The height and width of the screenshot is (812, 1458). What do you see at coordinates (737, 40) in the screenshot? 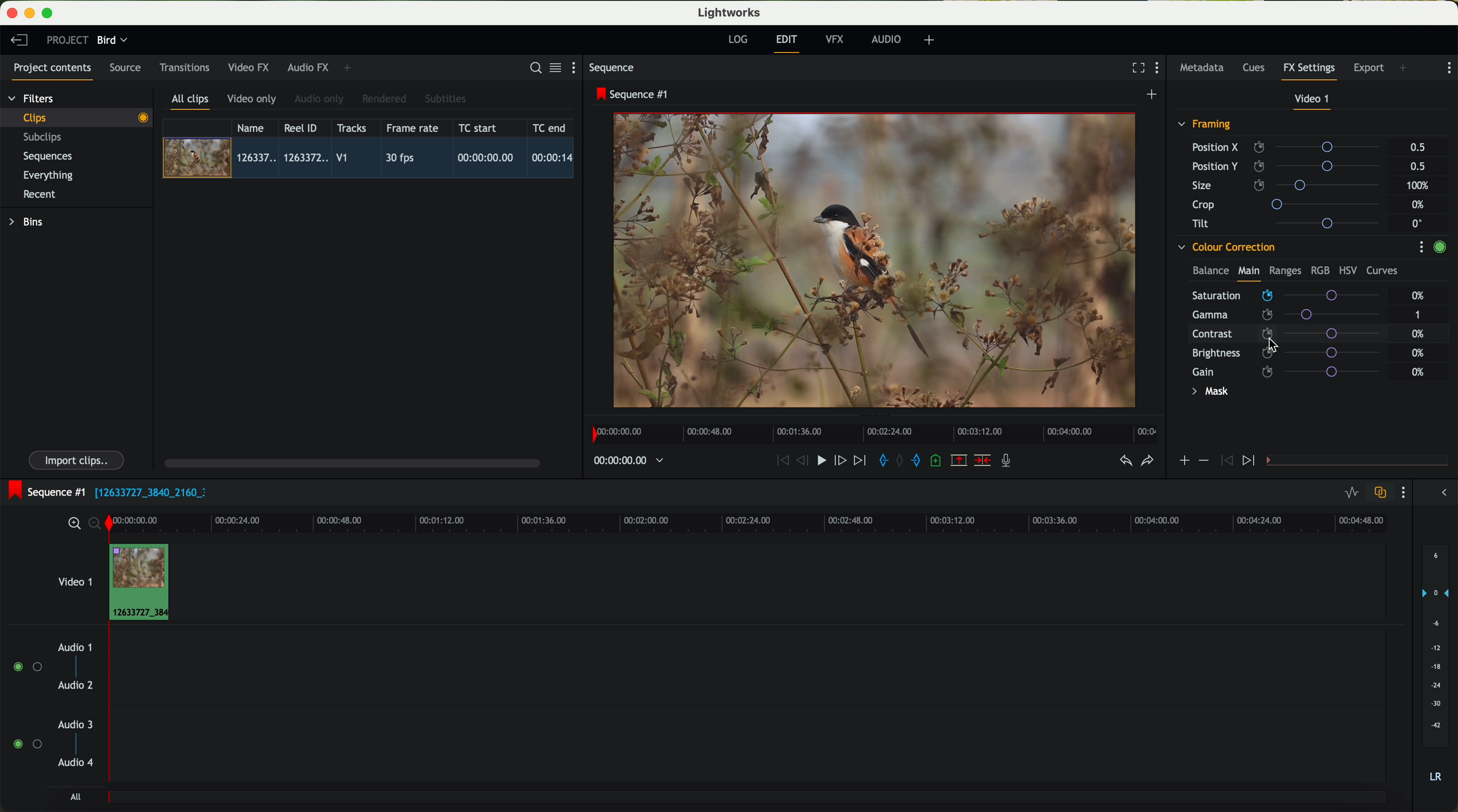
I see `log` at bounding box center [737, 40].